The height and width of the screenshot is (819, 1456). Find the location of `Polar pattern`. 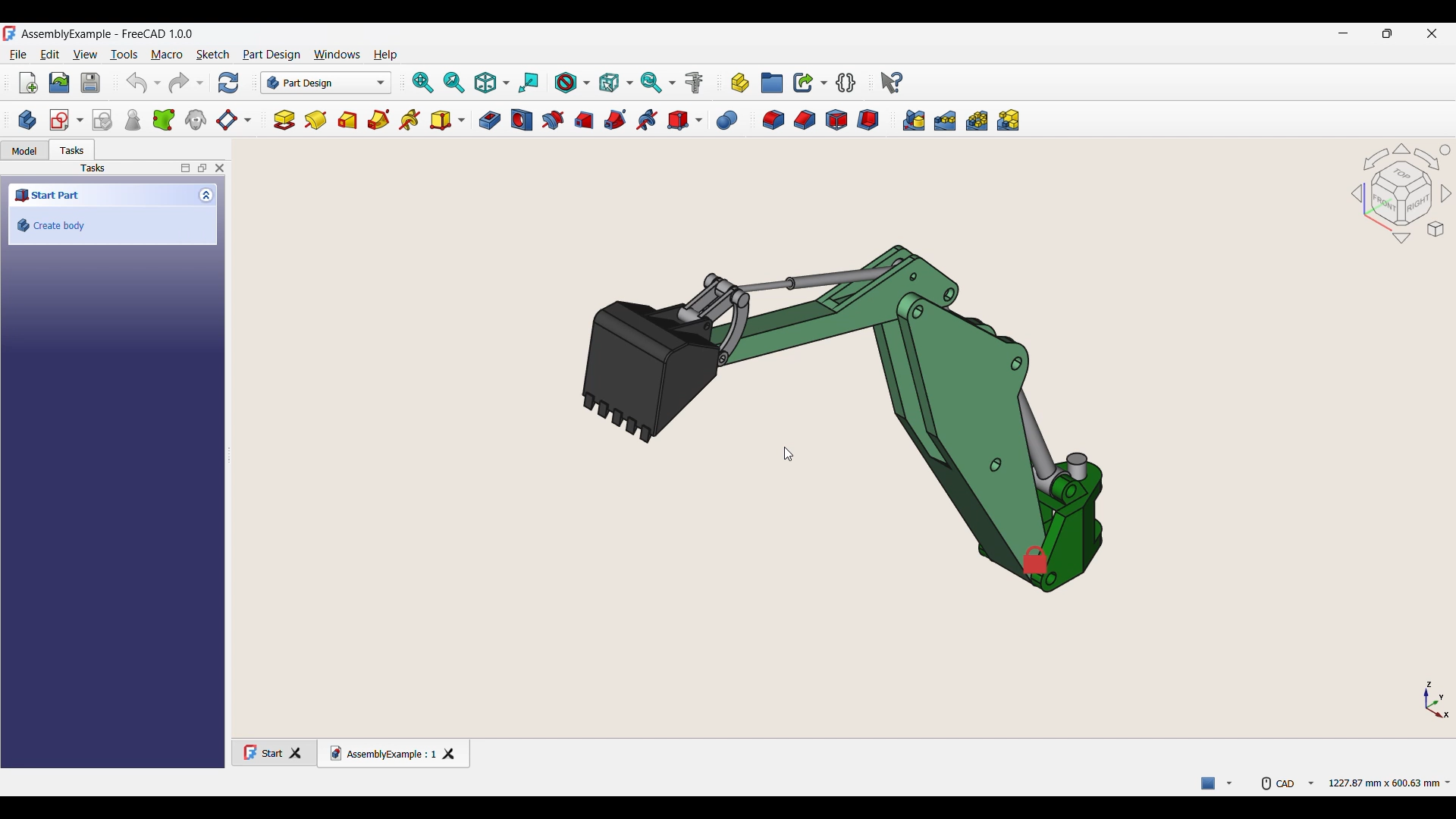

Polar pattern is located at coordinates (977, 121).